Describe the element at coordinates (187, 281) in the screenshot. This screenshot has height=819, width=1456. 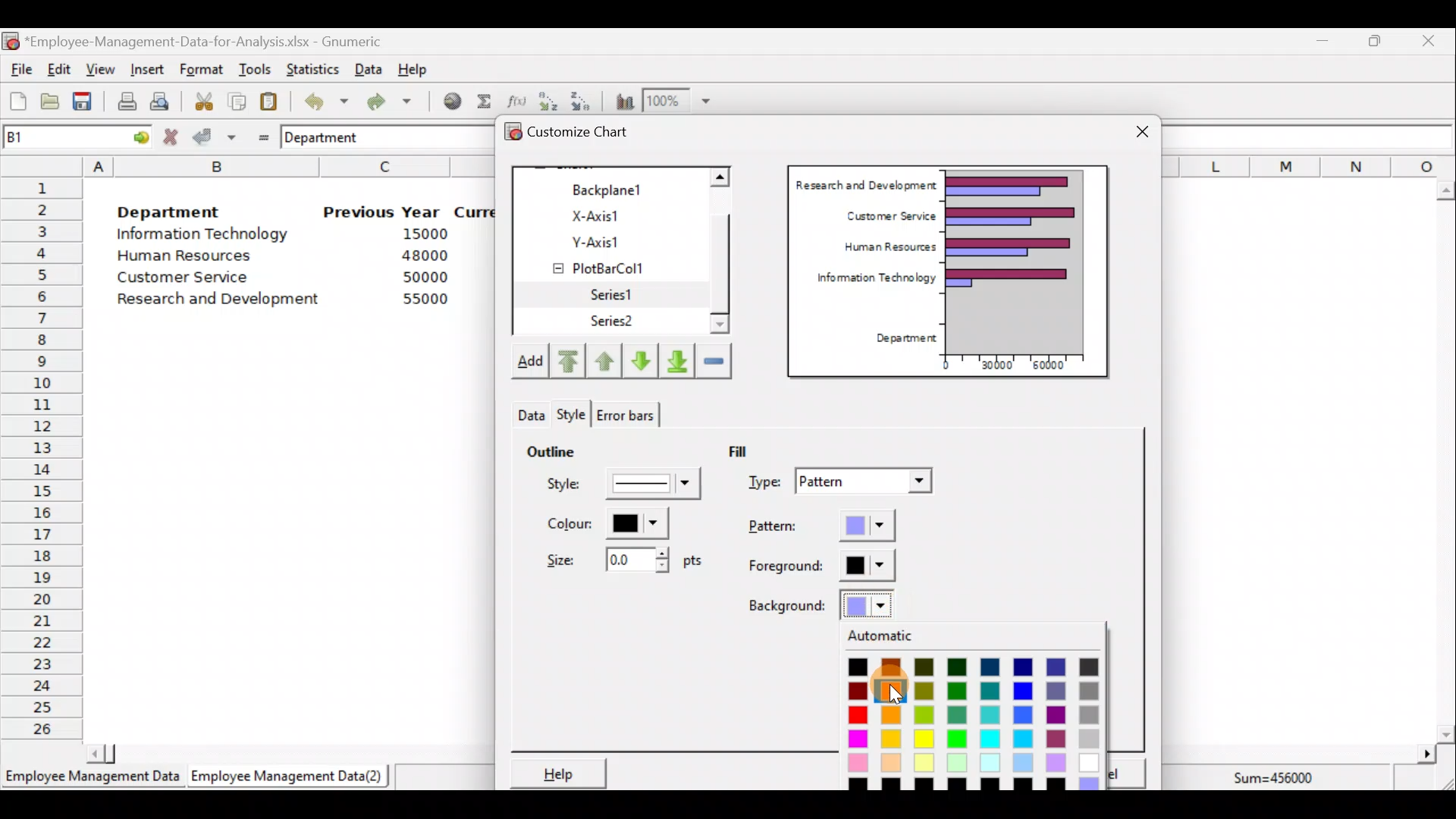
I see `Customer Service` at that location.